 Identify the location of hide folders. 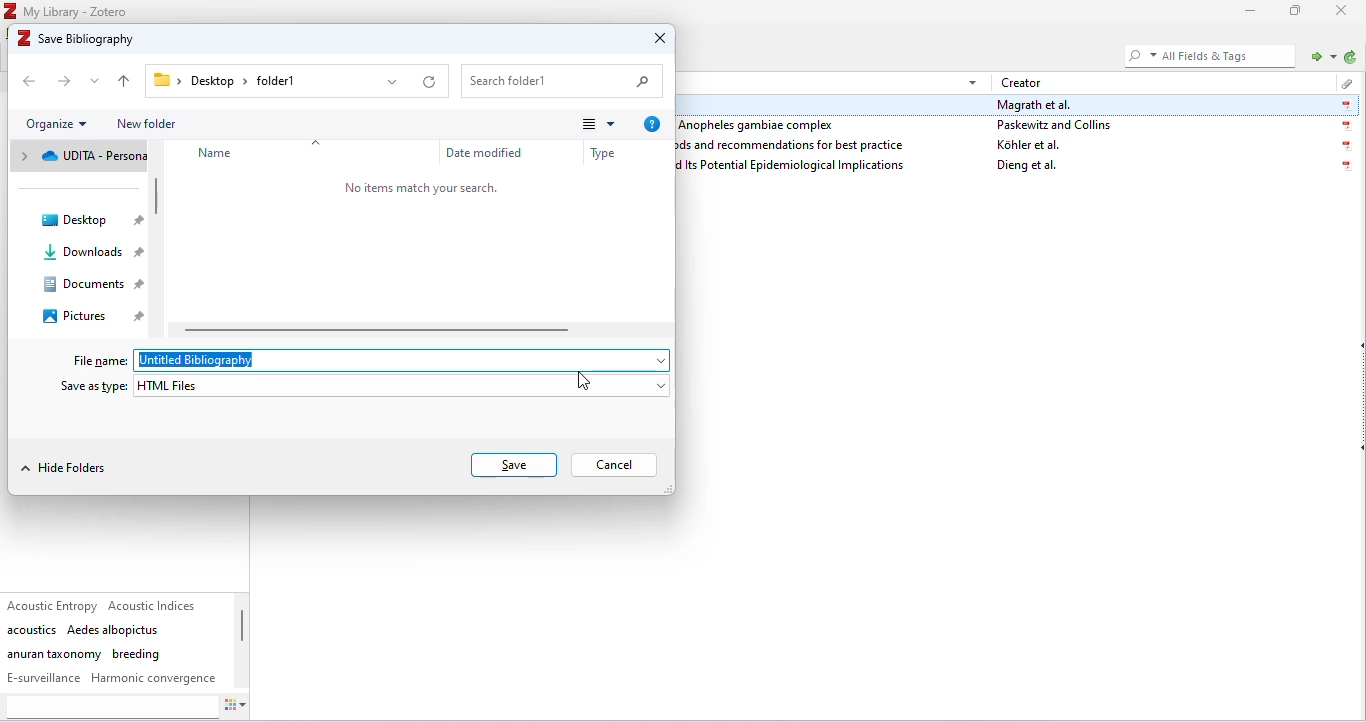
(67, 467).